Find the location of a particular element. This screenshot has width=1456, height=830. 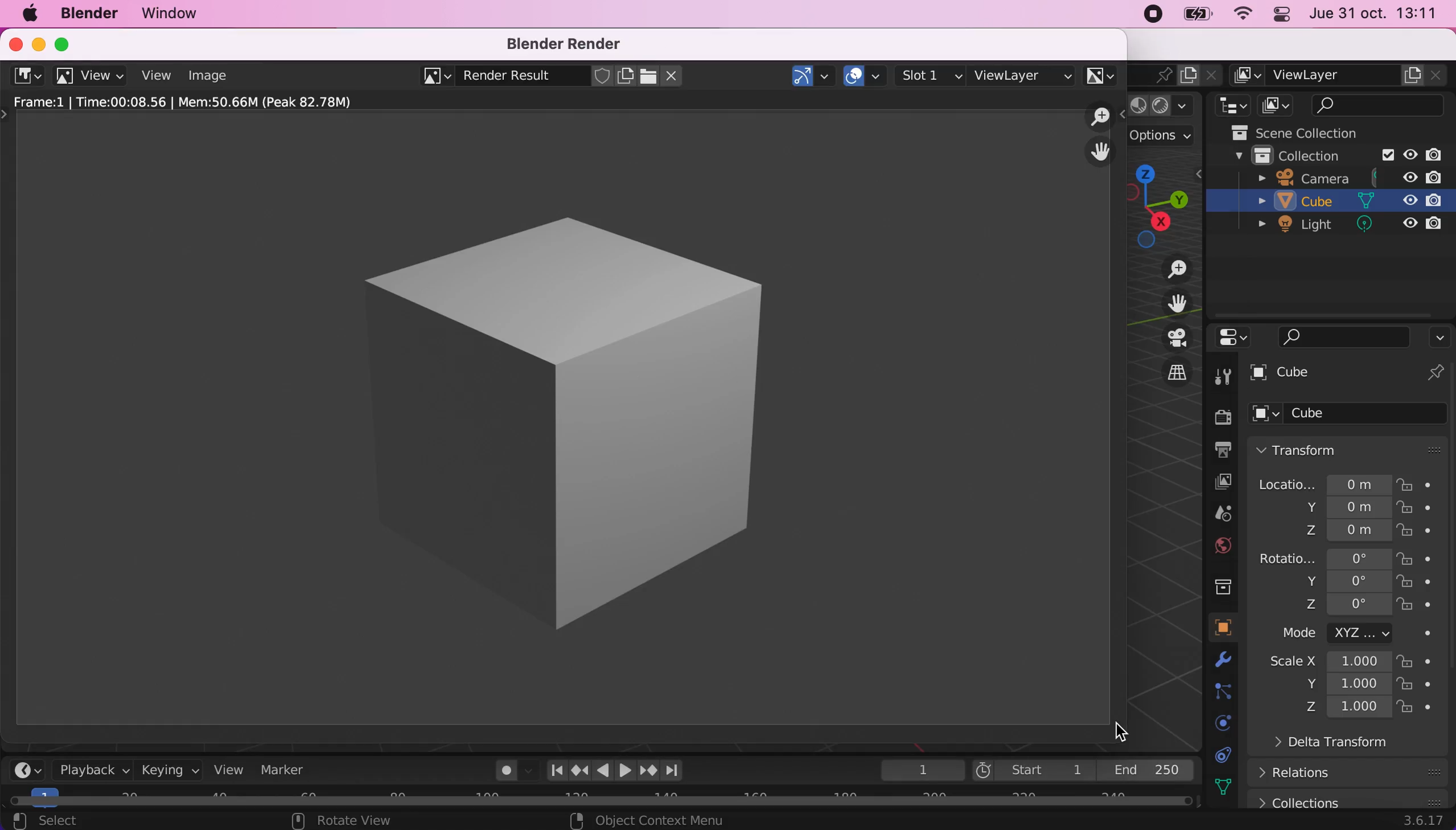

view layer is located at coordinates (1341, 75).